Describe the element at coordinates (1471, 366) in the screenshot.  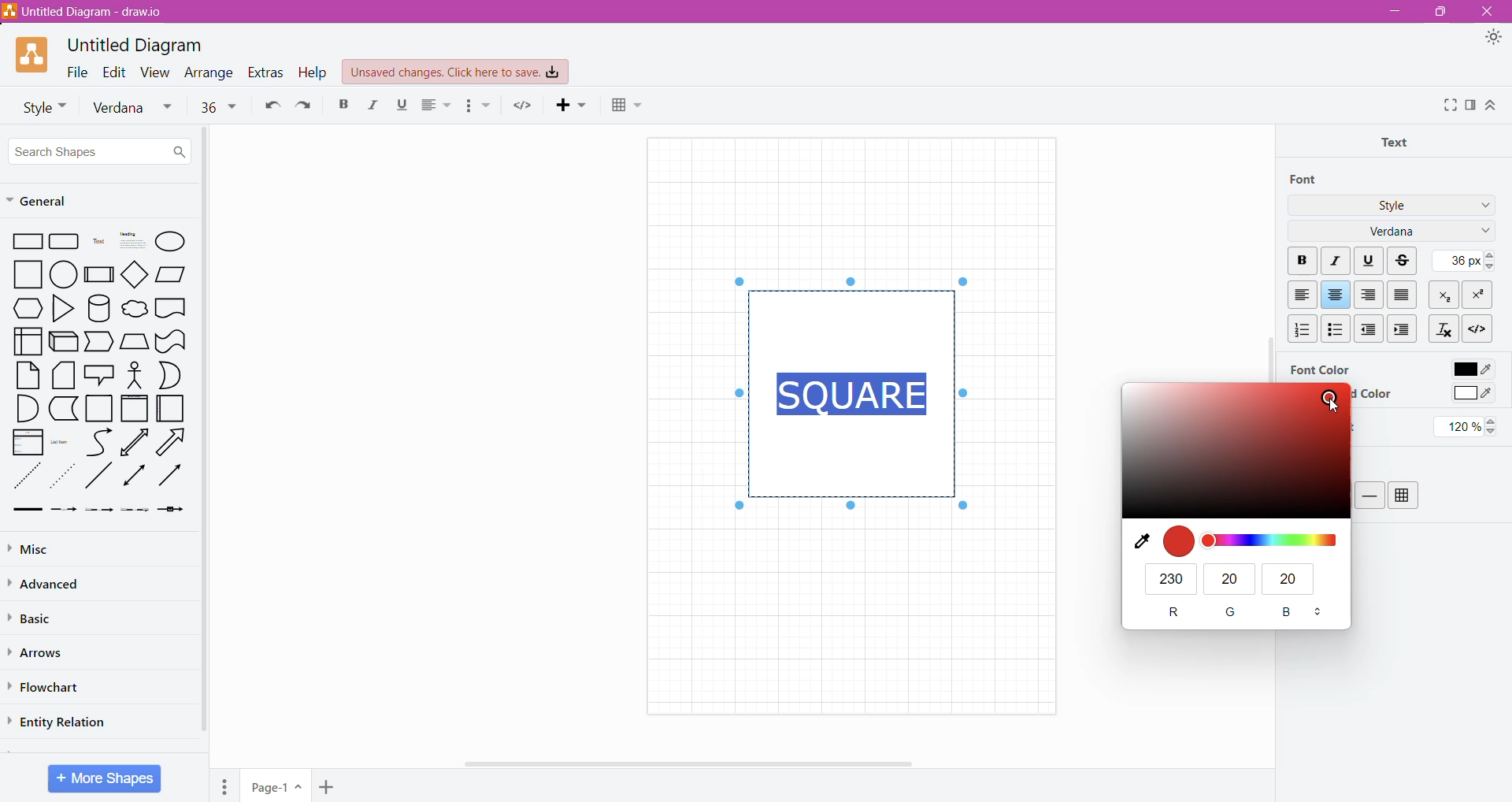
I see `Font Color` at that location.